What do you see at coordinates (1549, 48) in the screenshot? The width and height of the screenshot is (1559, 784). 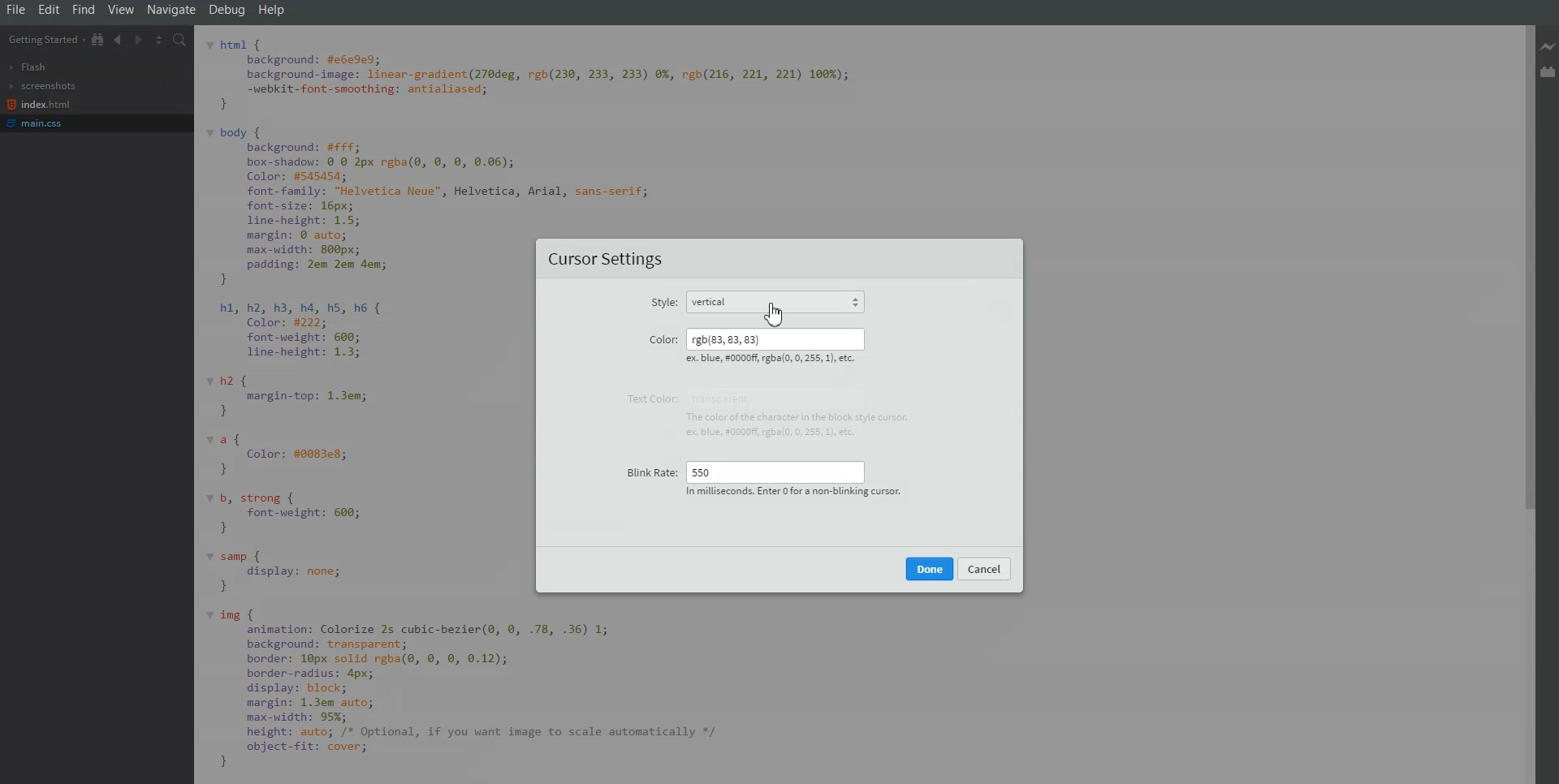 I see `Live Preview` at bounding box center [1549, 48].